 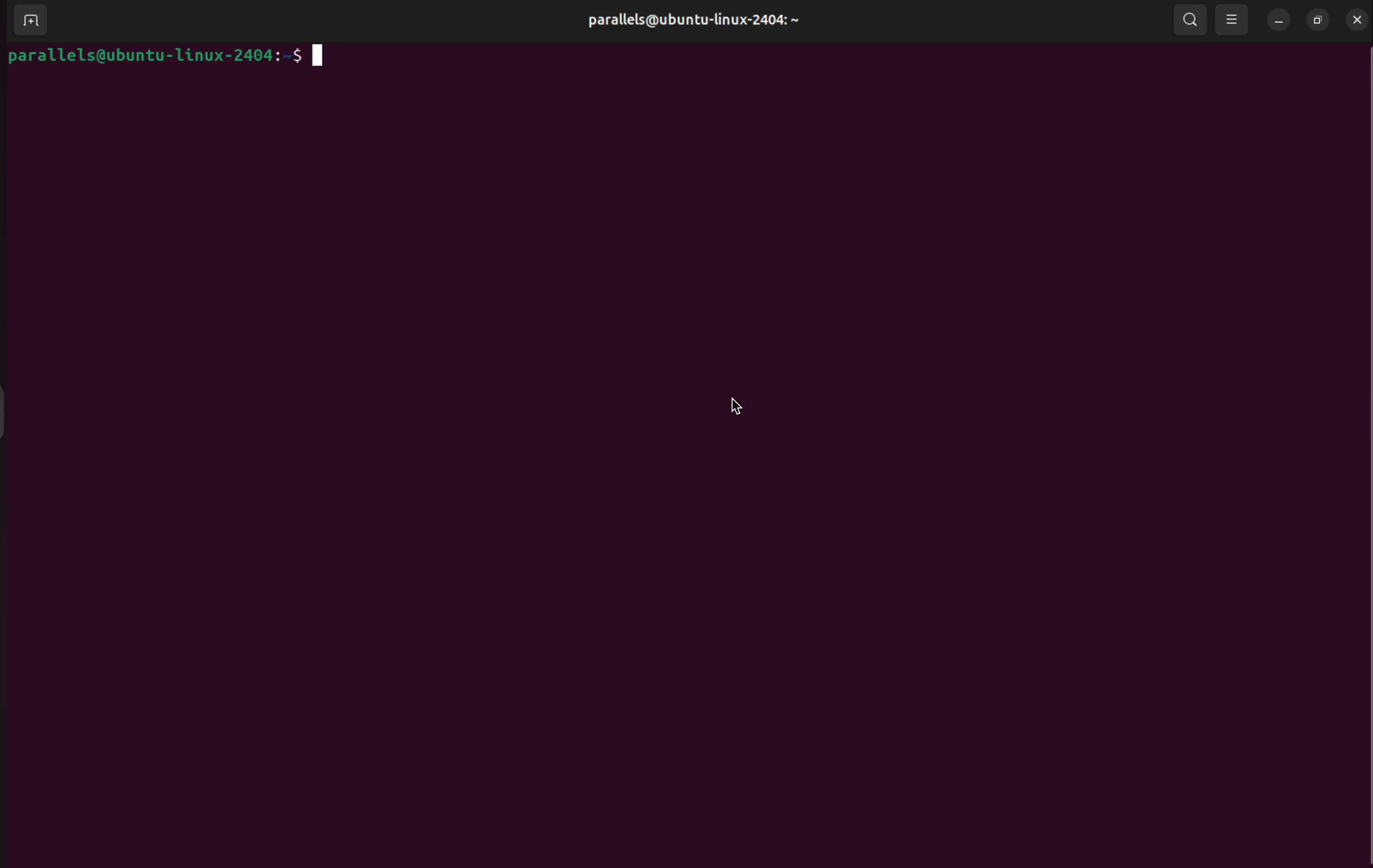 I want to click on parallels user profile, so click(x=699, y=21).